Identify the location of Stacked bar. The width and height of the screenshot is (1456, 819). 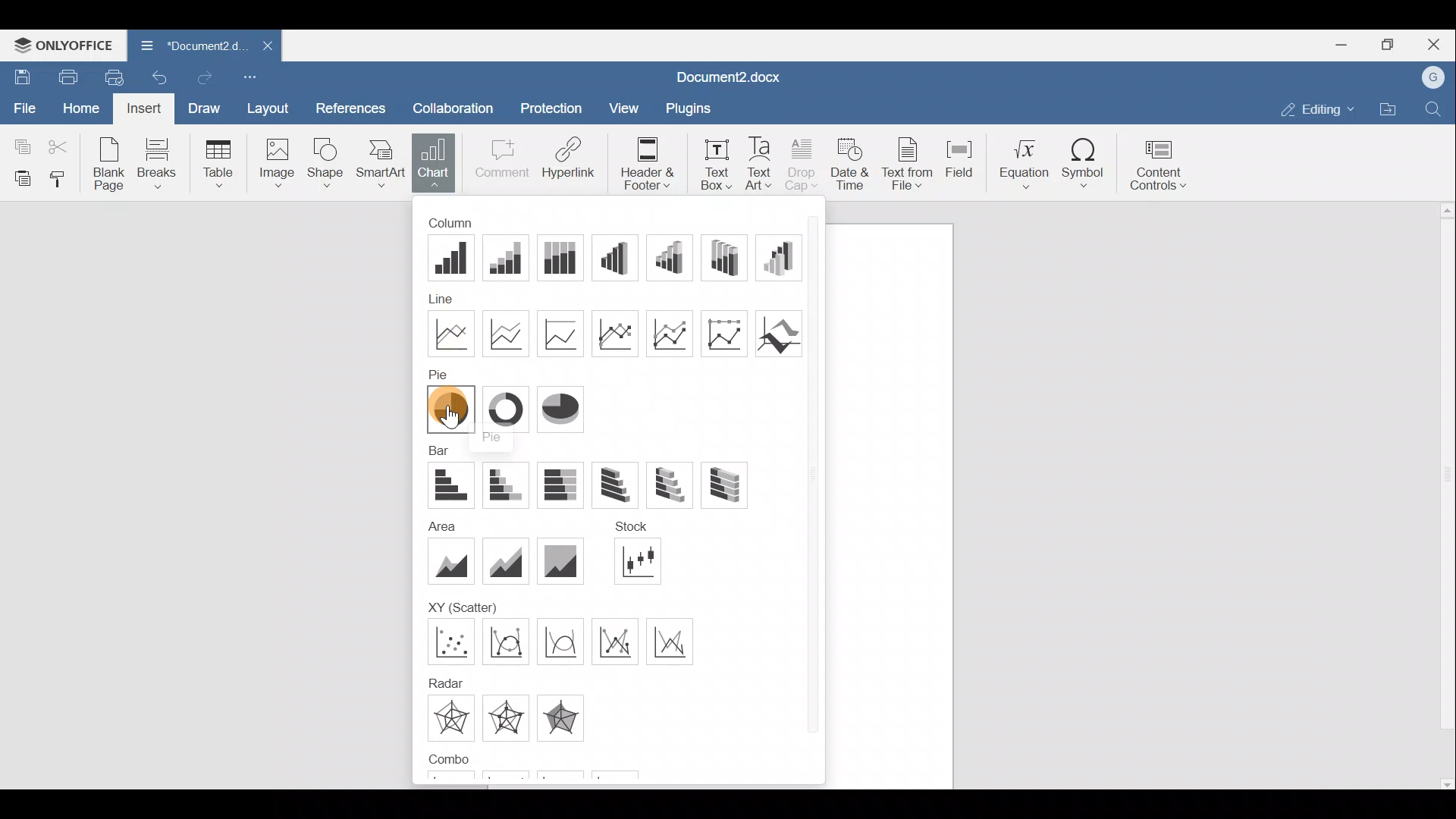
(507, 485).